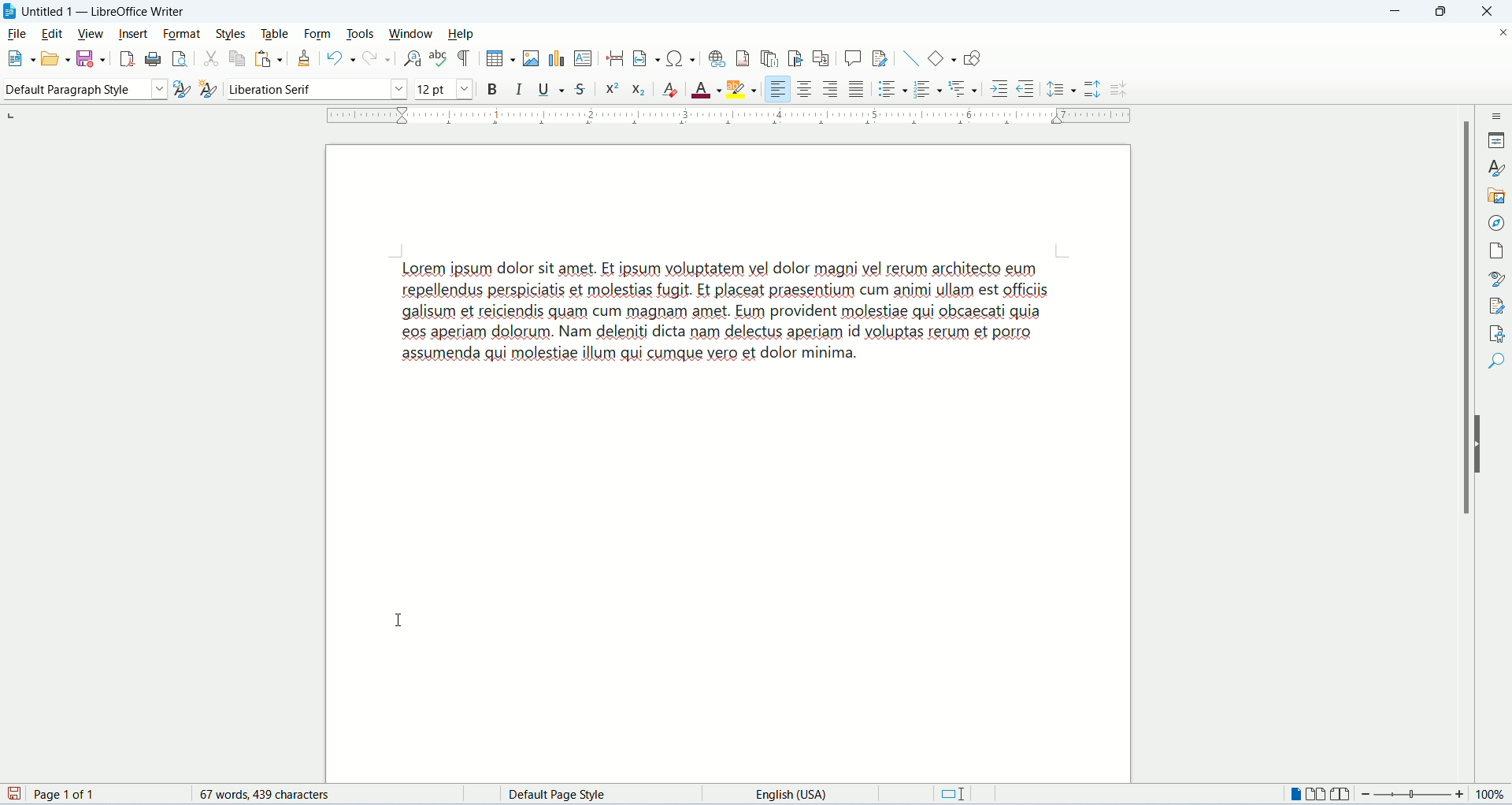 The image size is (1512, 805). I want to click on single page view, so click(1297, 796).